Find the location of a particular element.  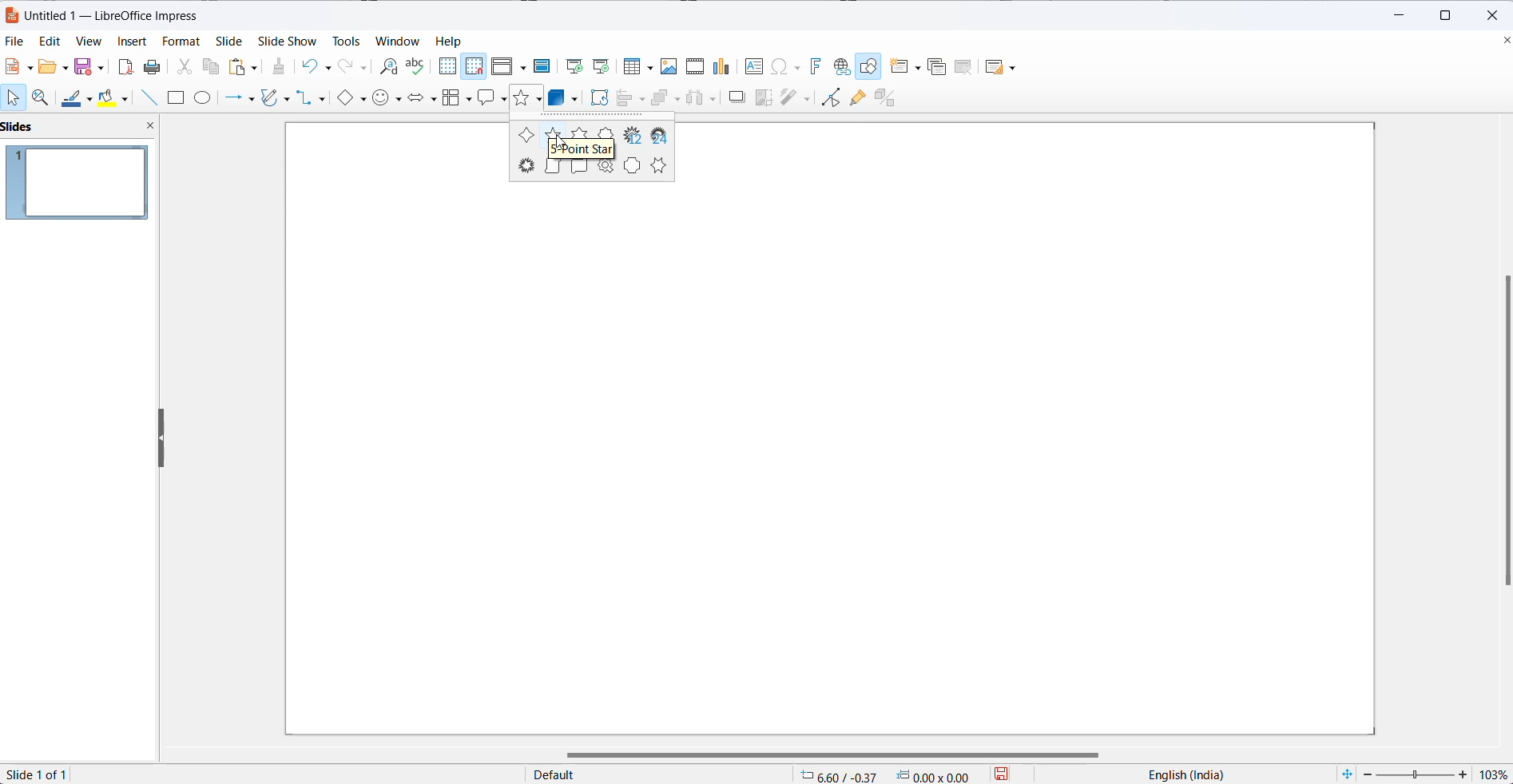

display grid is located at coordinates (447, 66).